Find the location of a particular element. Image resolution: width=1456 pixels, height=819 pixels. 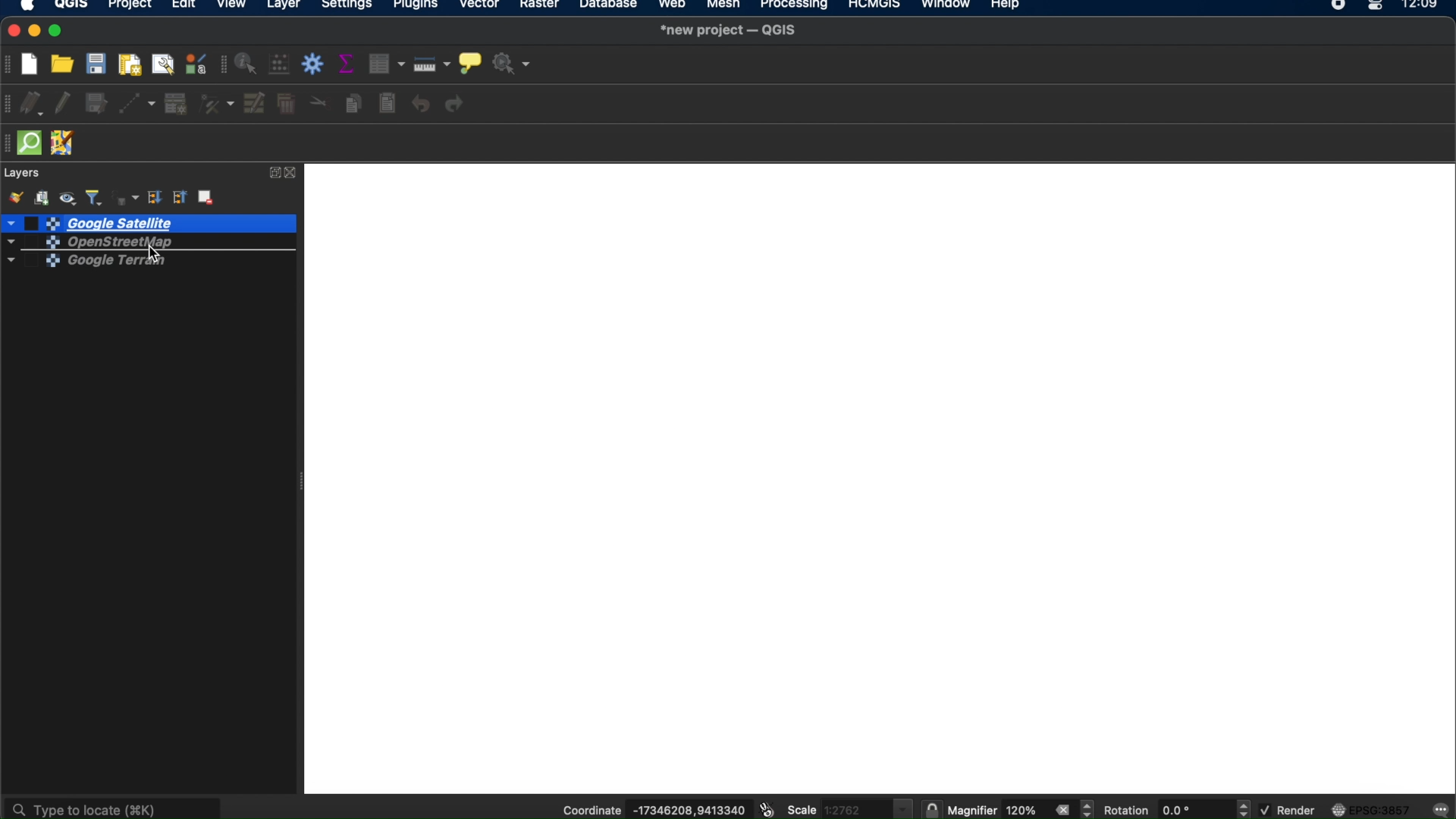

toggle extents and mouse position display is located at coordinates (765, 810).